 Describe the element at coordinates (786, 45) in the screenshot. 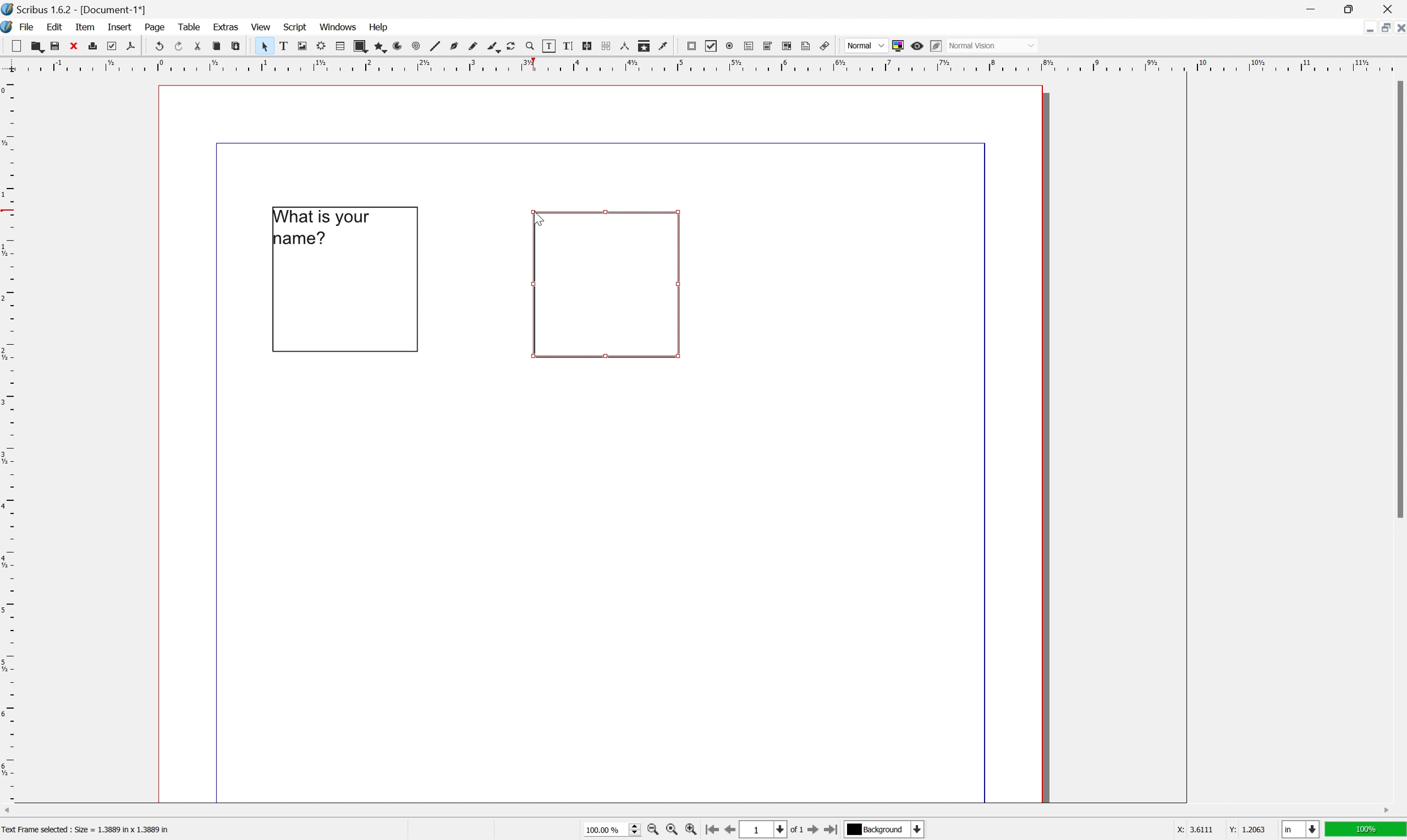

I see `pdf list box` at that location.